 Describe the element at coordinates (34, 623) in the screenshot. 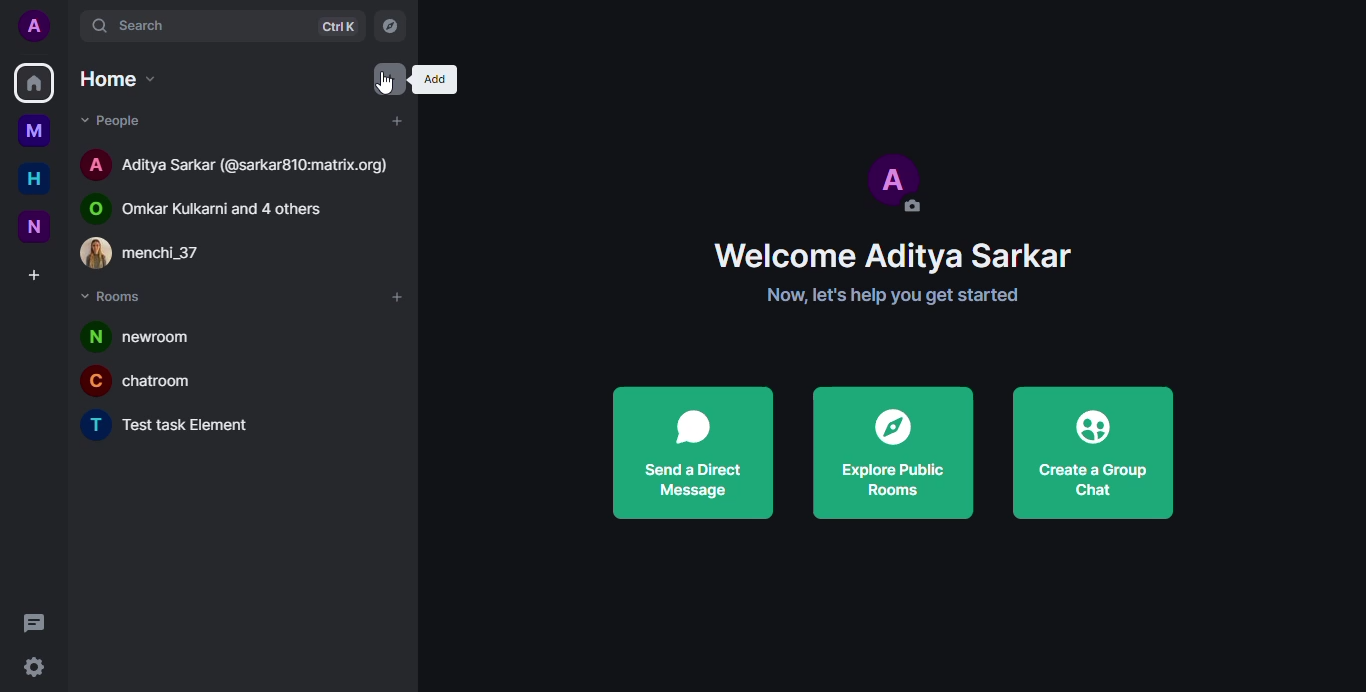

I see `threads` at that location.